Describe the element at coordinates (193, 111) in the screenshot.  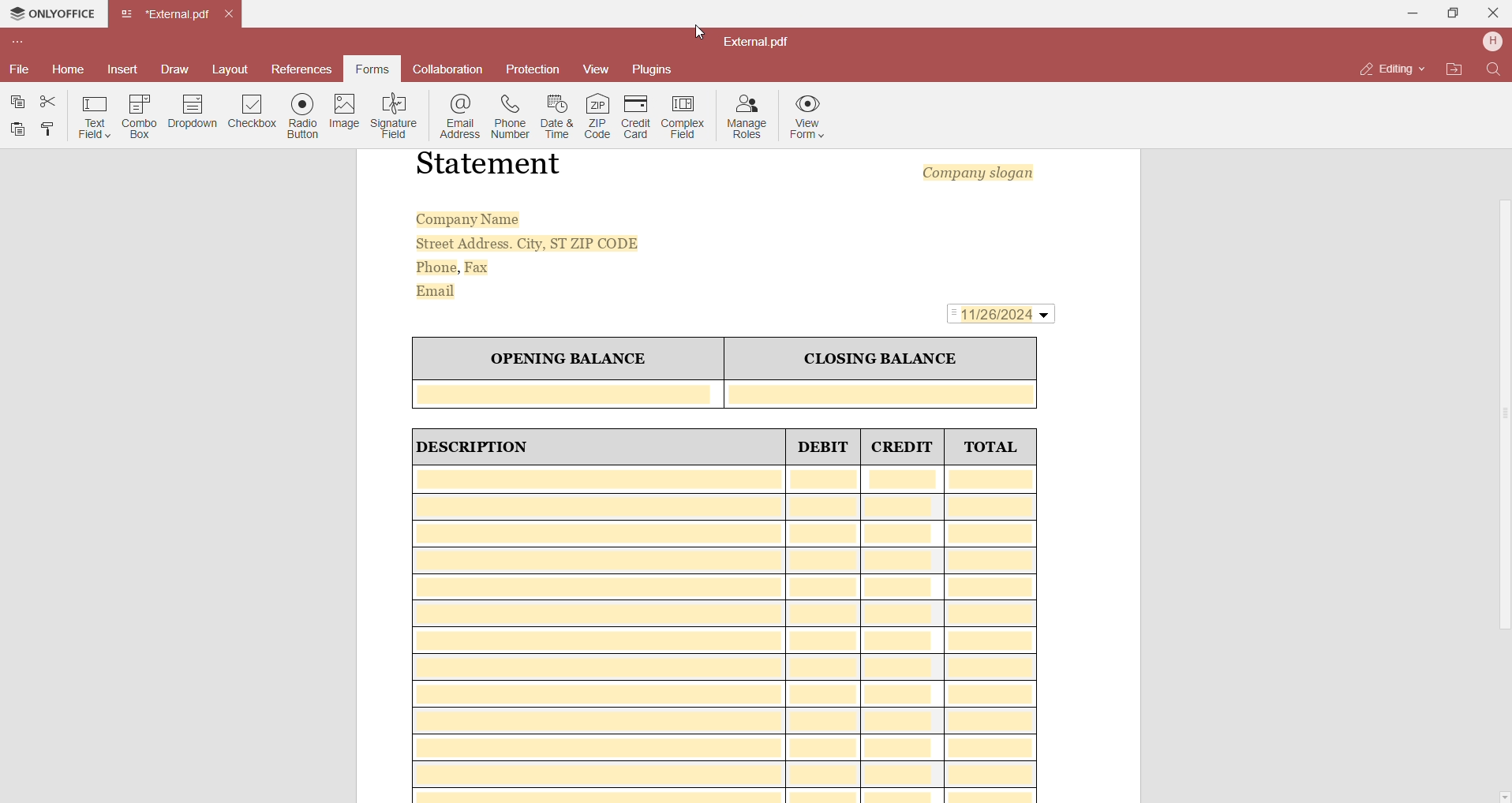
I see `Dropdown` at that location.